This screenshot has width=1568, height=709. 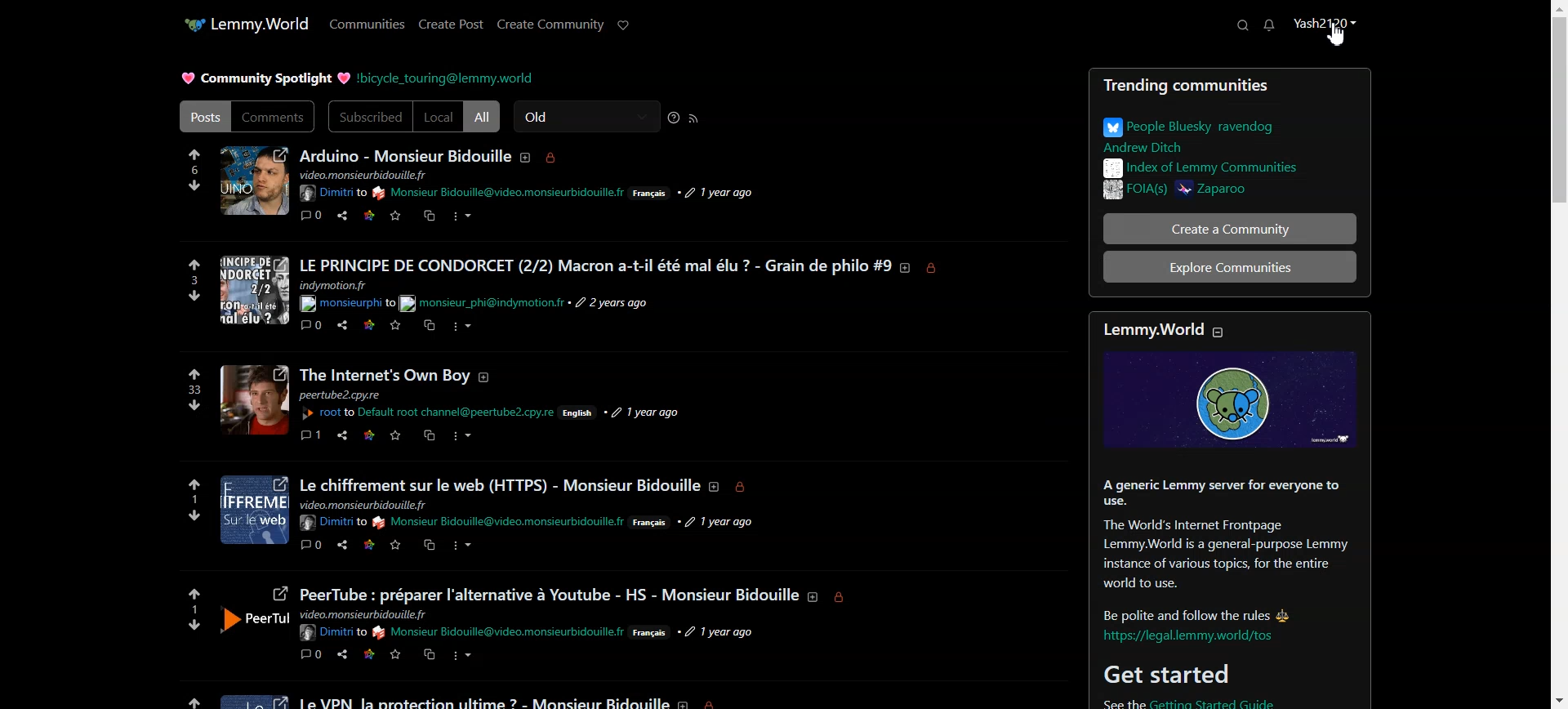 What do you see at coordinates (501, 193) in the screenshot?
I see `hyperlink` at bounding box center [501, 193].